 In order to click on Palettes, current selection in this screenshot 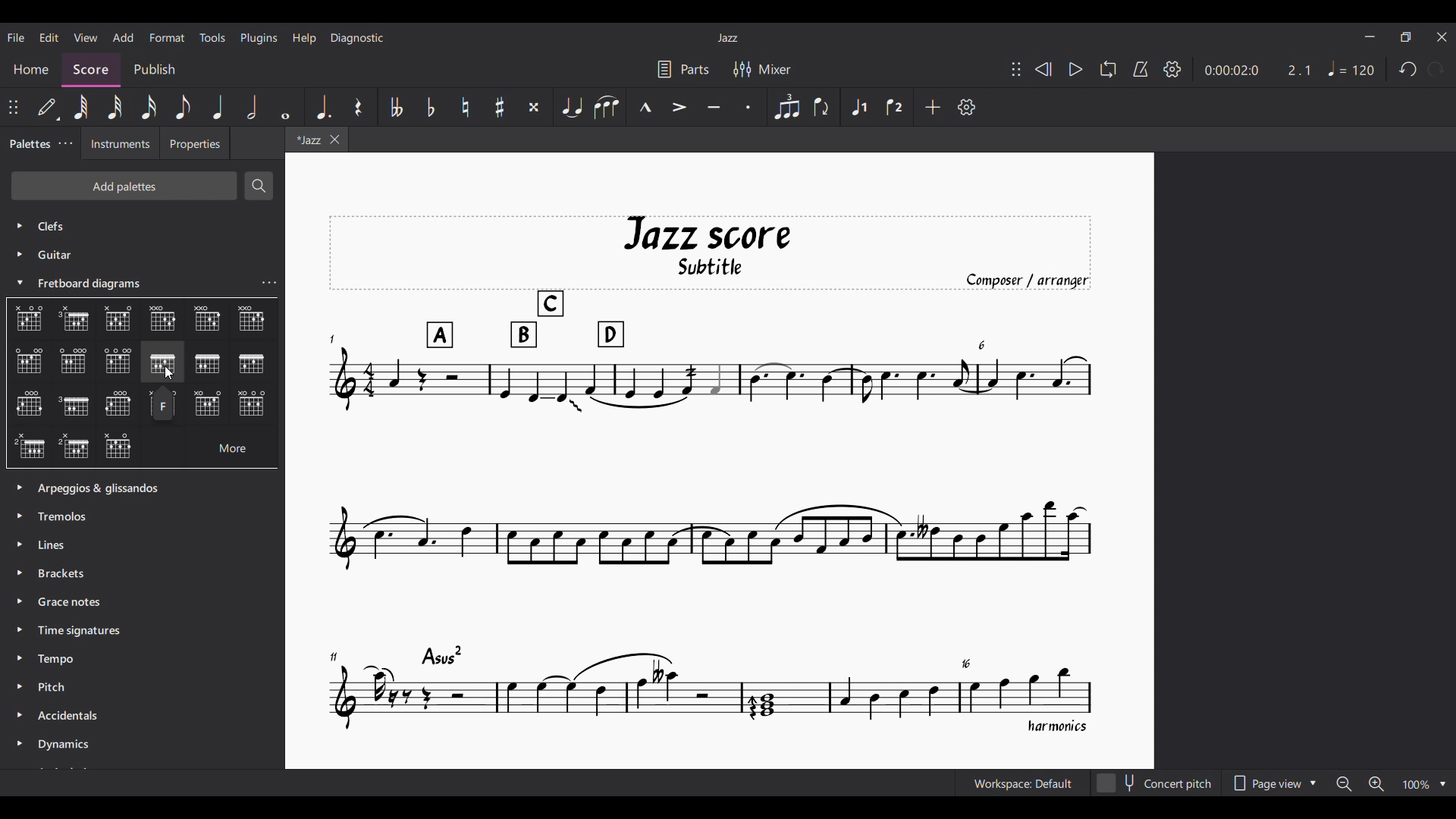, I will do `click(27, 148)`.